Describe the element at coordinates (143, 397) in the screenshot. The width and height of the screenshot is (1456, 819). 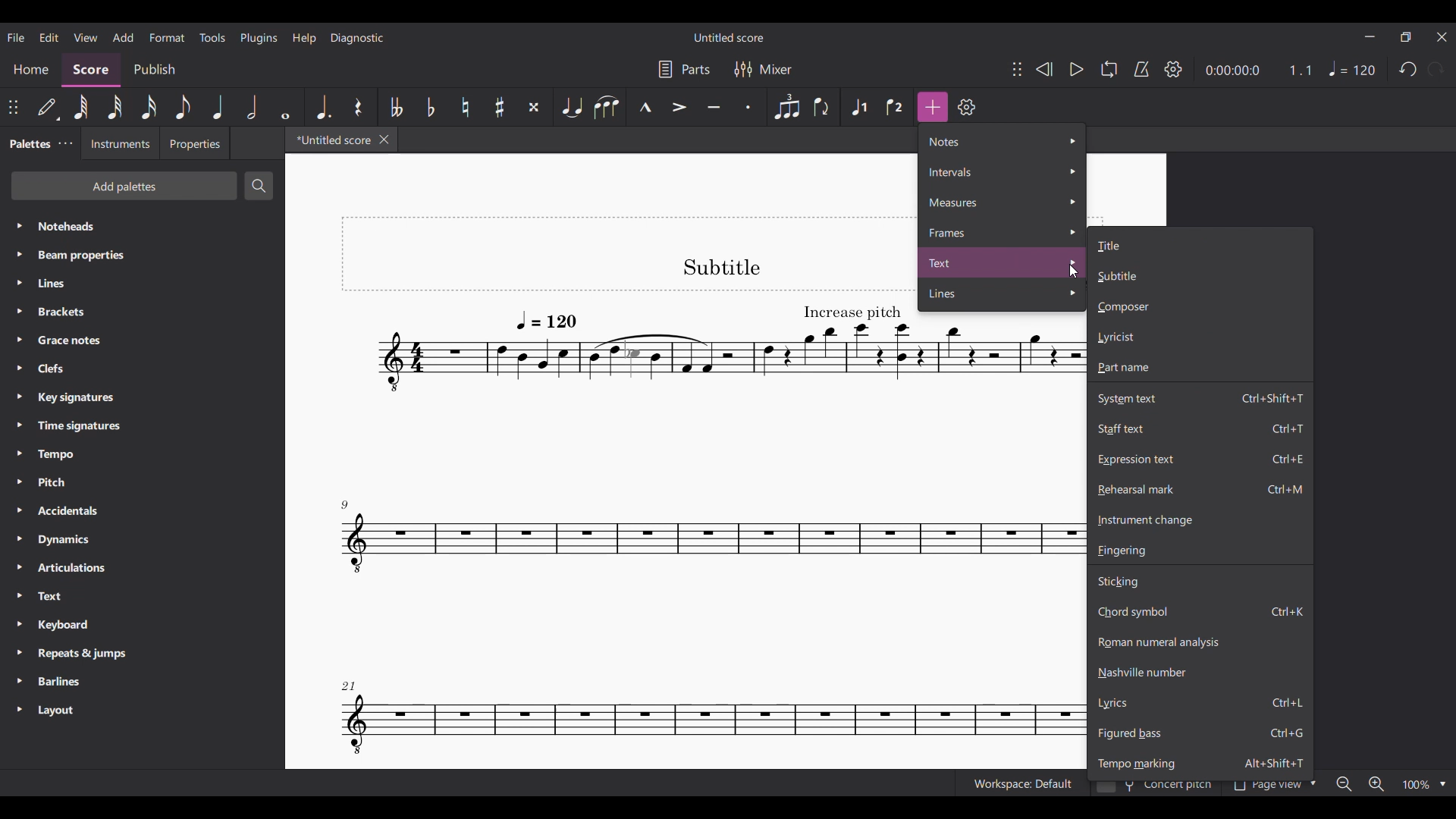
I see `Key signatures` at that location.